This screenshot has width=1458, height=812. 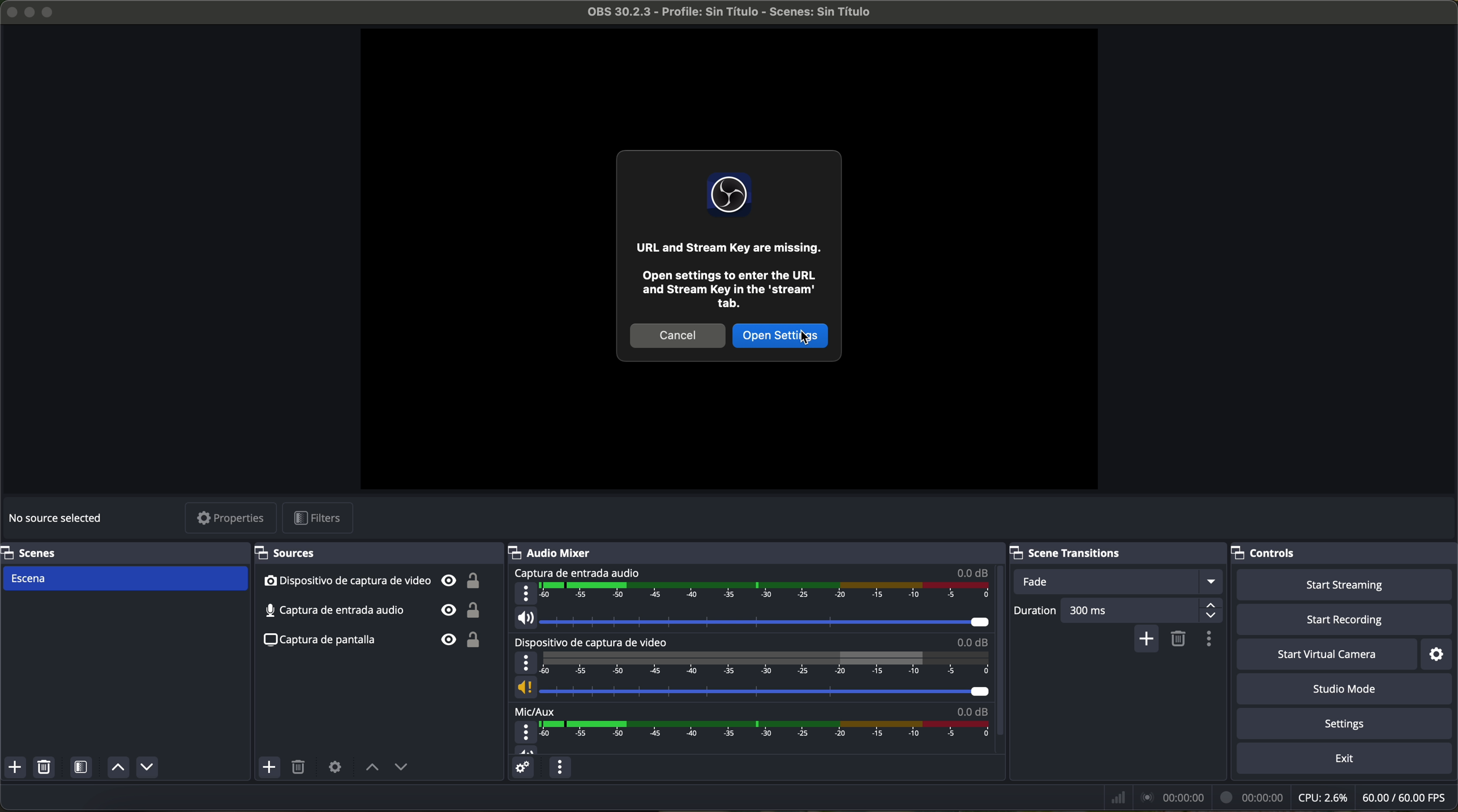 I want to click on studio mode, so click(x=1349, y=690).